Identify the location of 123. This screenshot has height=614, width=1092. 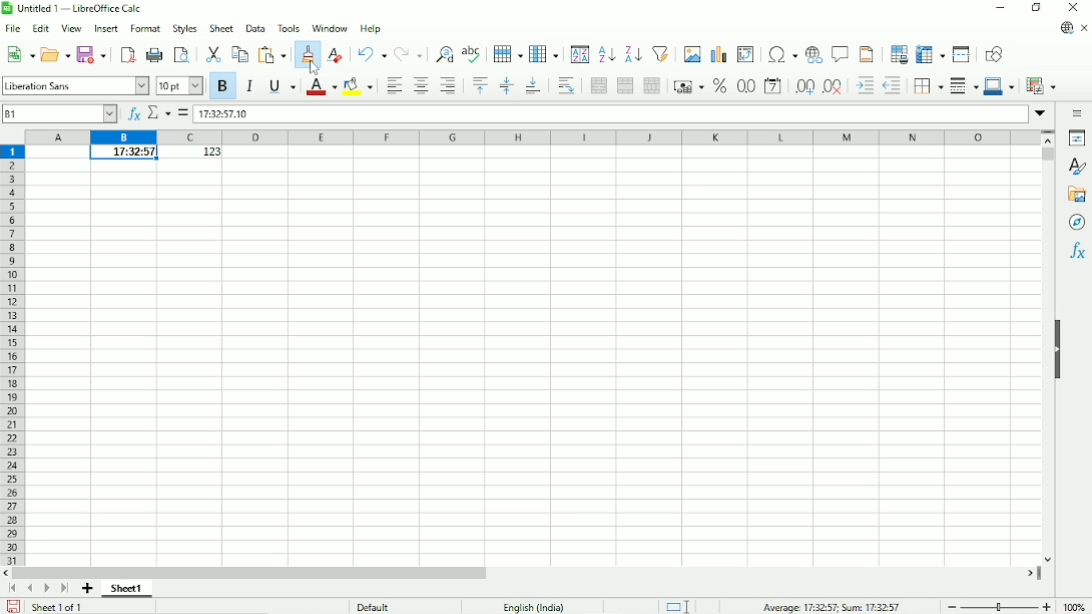
(207, 153).